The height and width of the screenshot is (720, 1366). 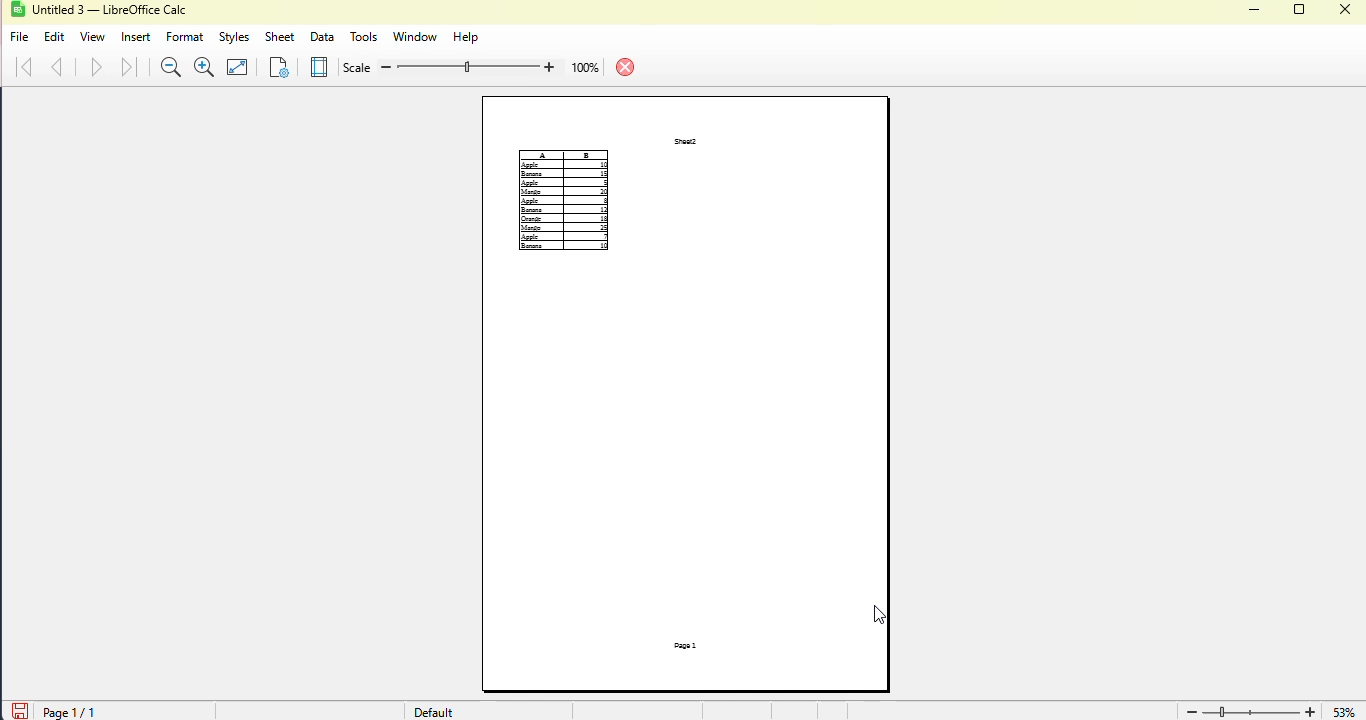 I want to click on tools, so click(x=363, y=37).